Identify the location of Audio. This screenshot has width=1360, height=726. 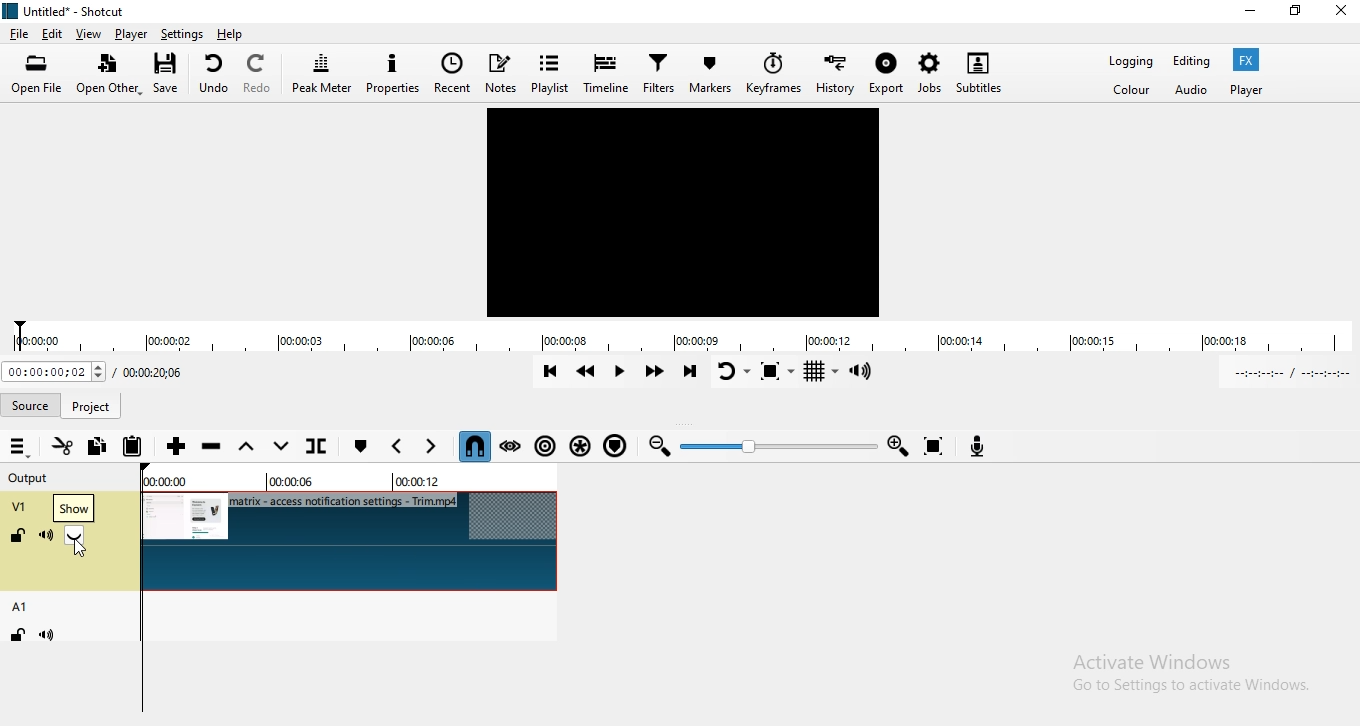
(1194, 91).